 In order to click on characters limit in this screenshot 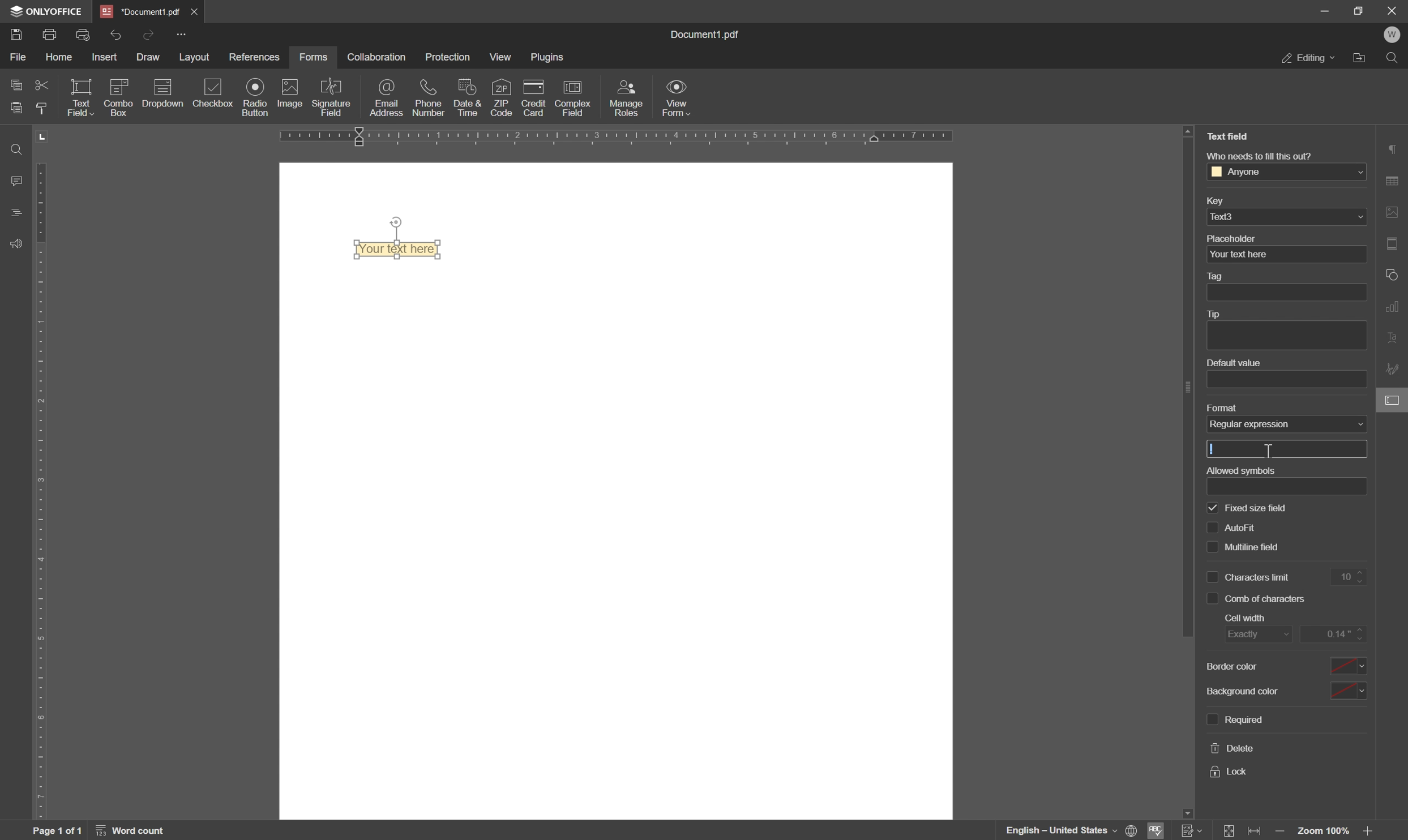, I will do `click(1261, 546)`.